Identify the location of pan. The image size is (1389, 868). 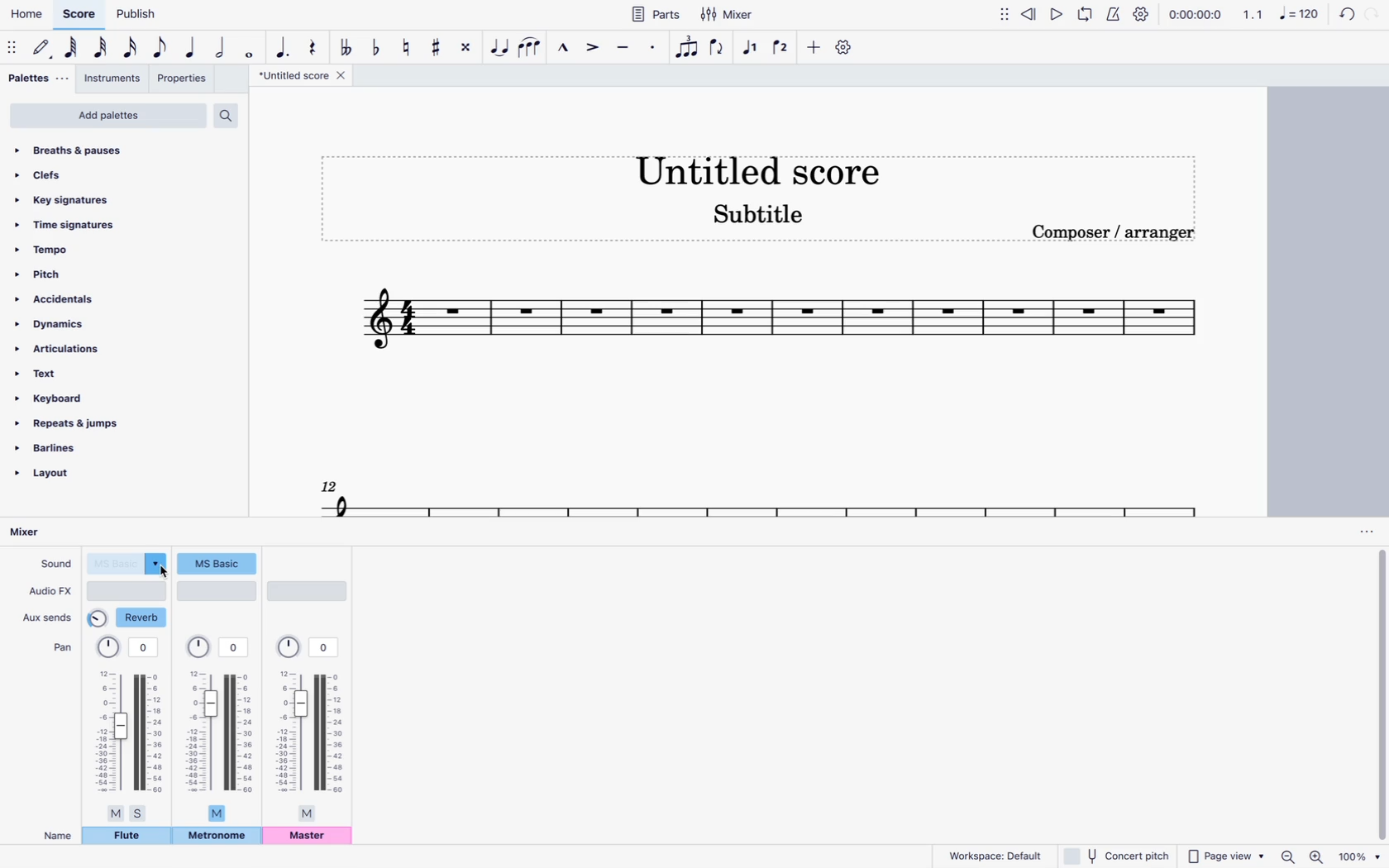
(219, 727).